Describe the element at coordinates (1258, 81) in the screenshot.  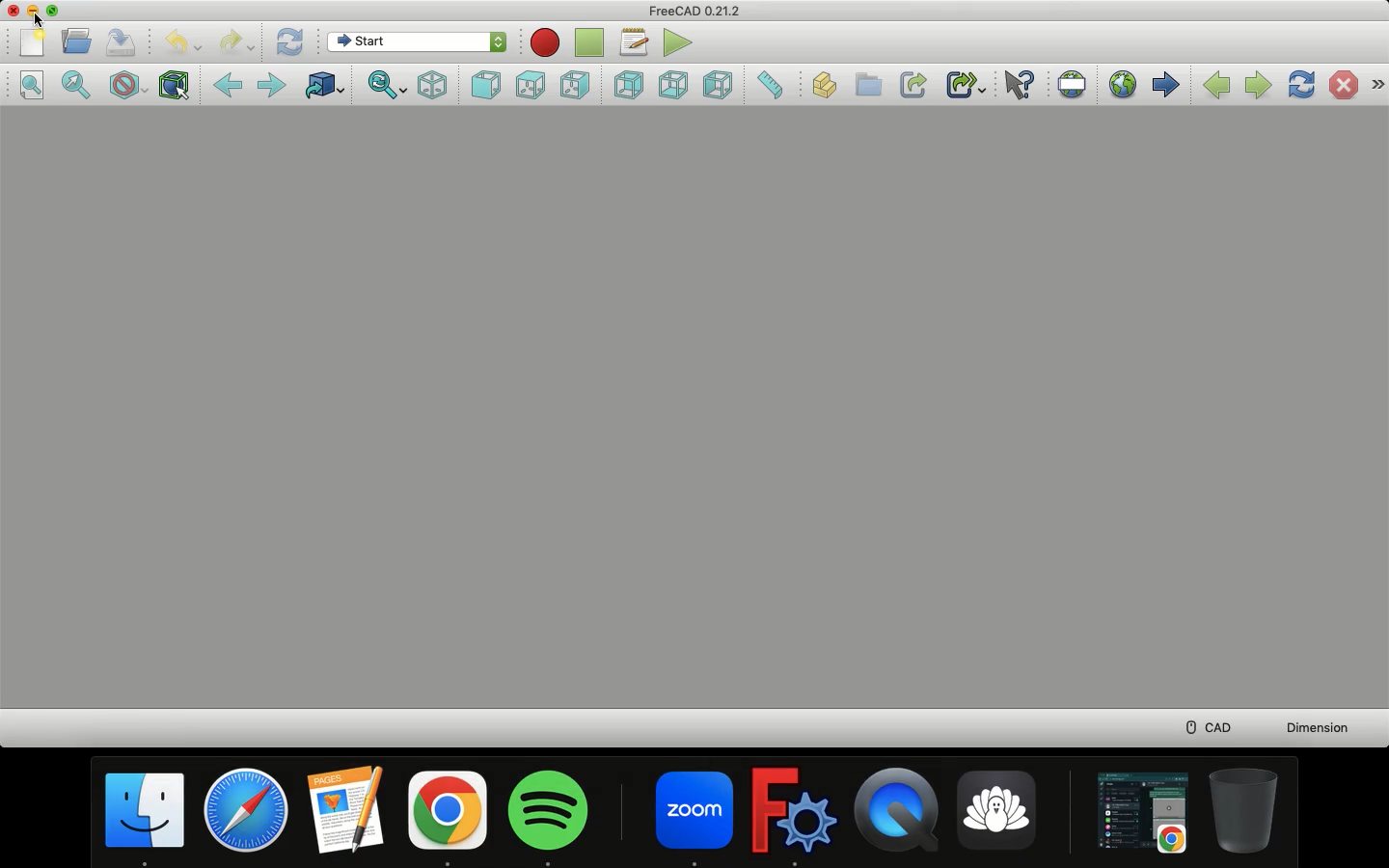
I see `Next page` at that location.